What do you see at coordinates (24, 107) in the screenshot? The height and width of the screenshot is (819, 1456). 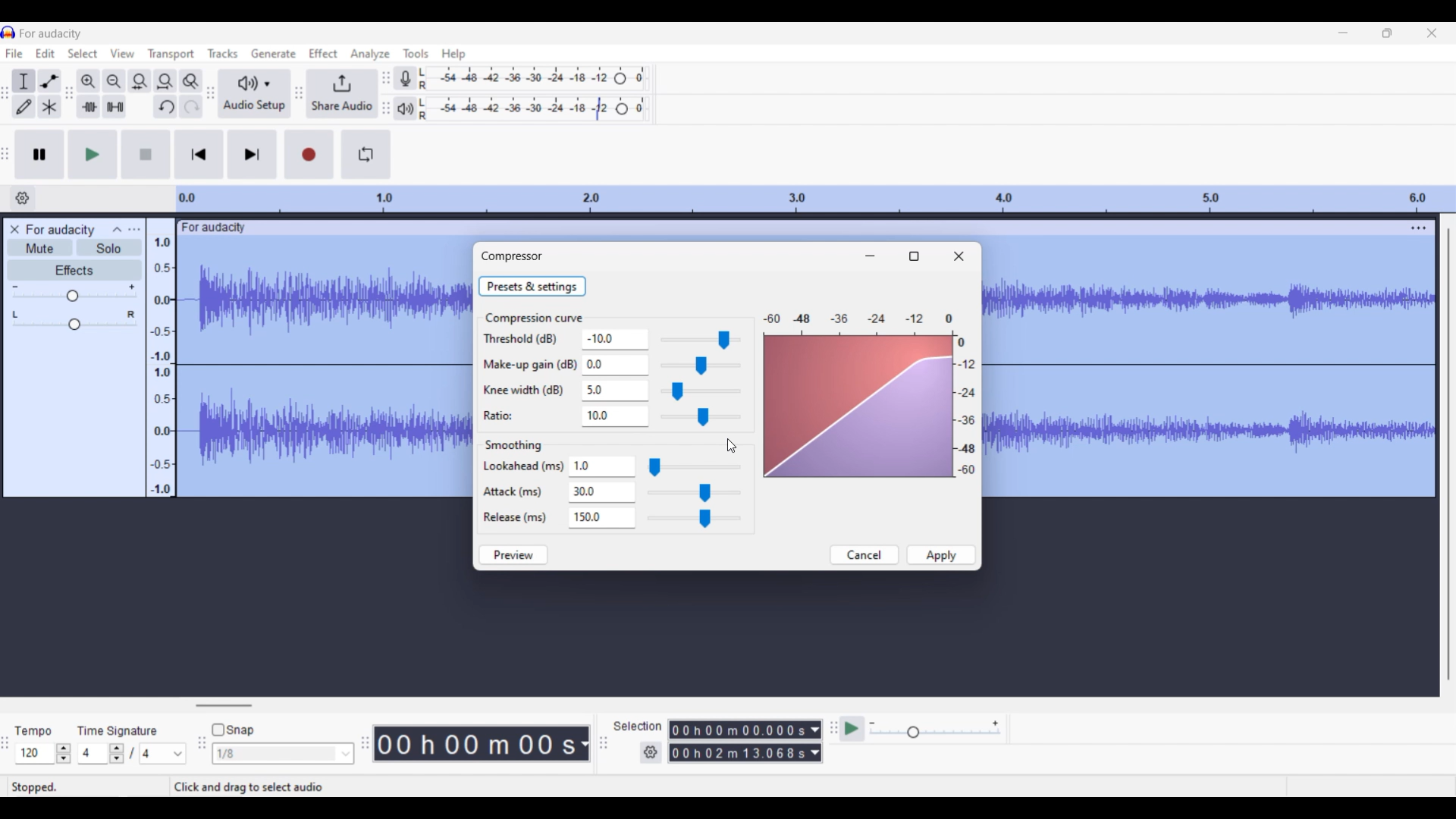 I see `Draw tool` at bounding box center [24, 107].